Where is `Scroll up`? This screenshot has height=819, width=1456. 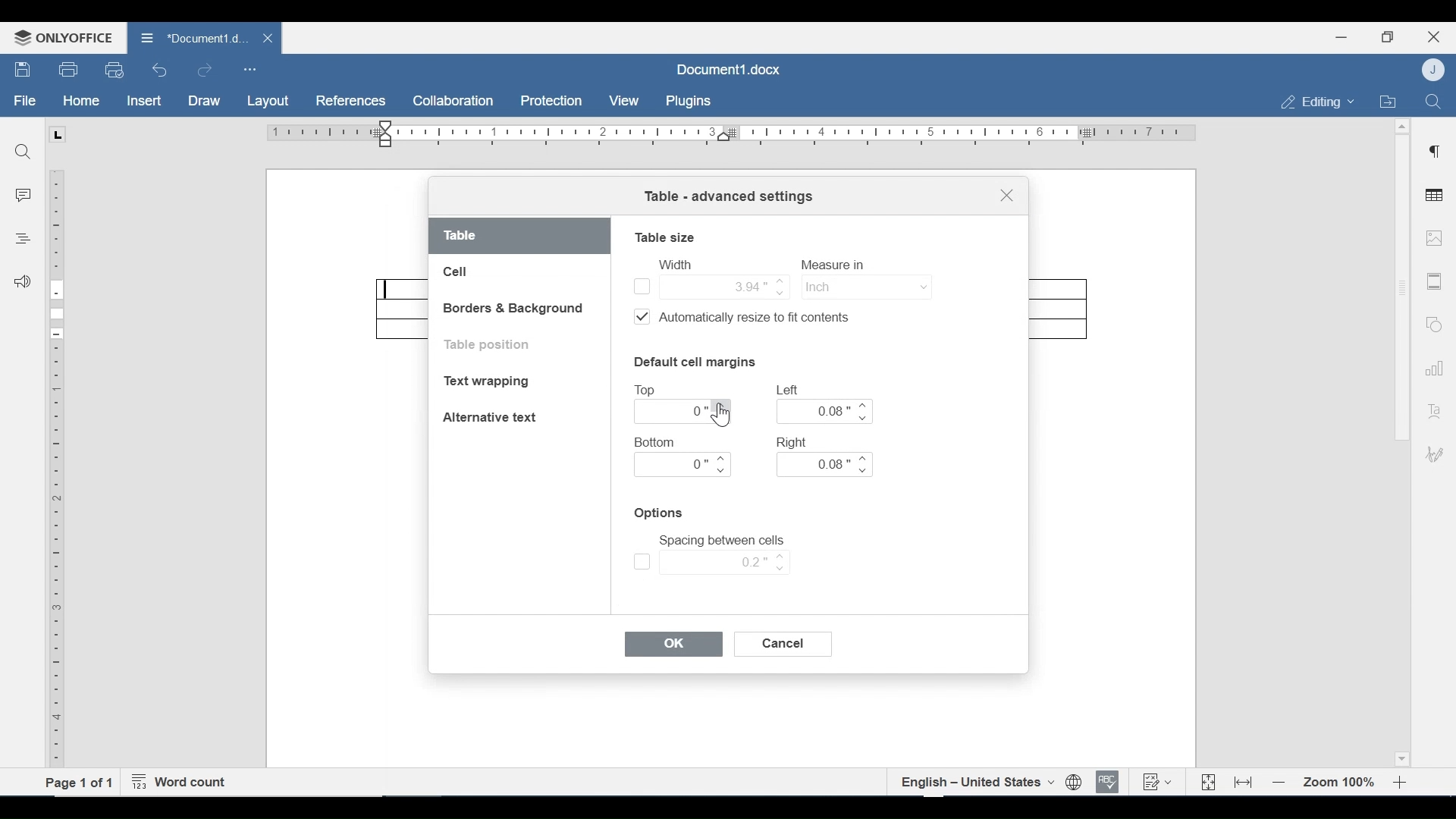 Scroll up is located at coordinates (1402, 127).